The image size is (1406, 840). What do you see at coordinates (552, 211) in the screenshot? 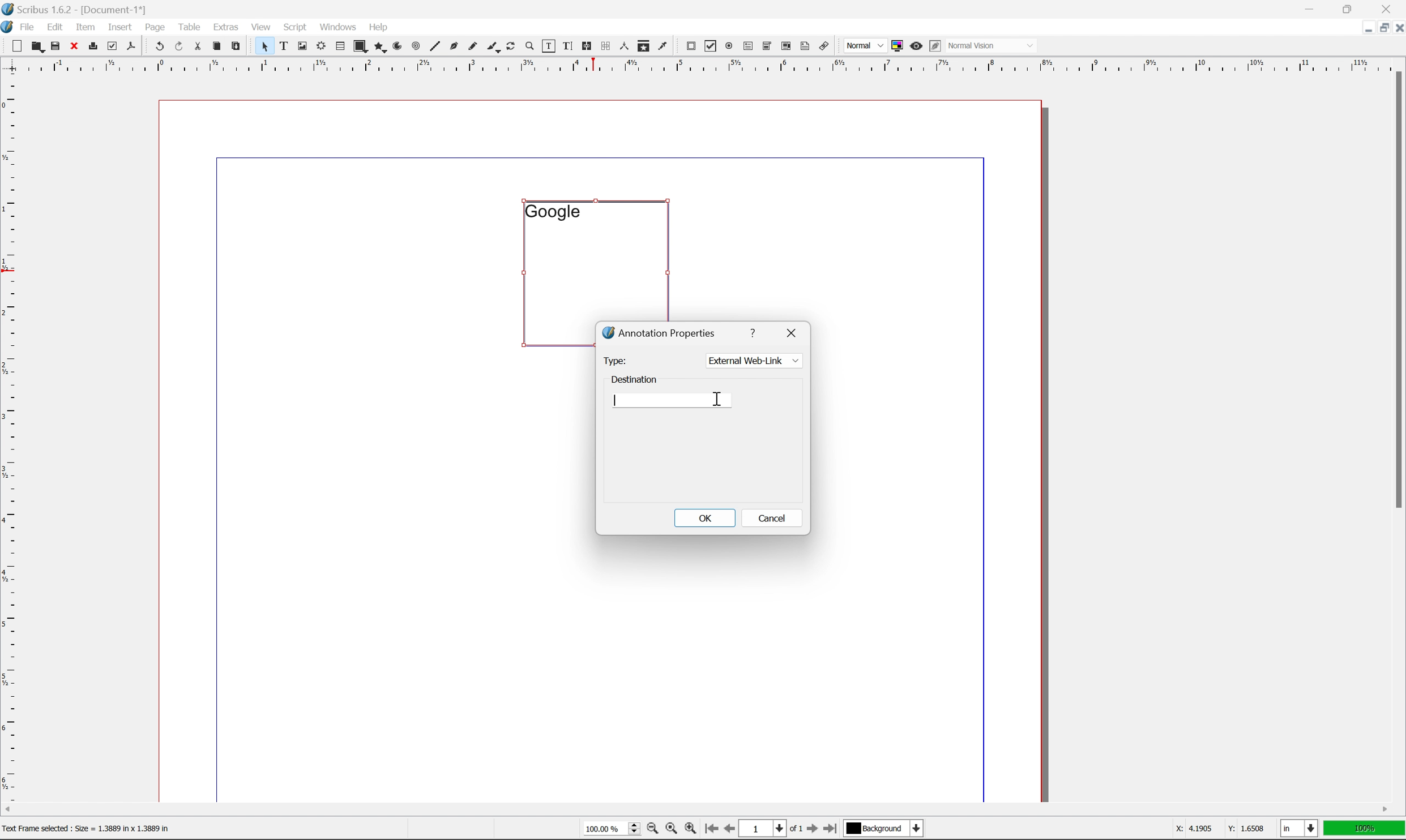
I see `google` at bounding box center [552, 211].